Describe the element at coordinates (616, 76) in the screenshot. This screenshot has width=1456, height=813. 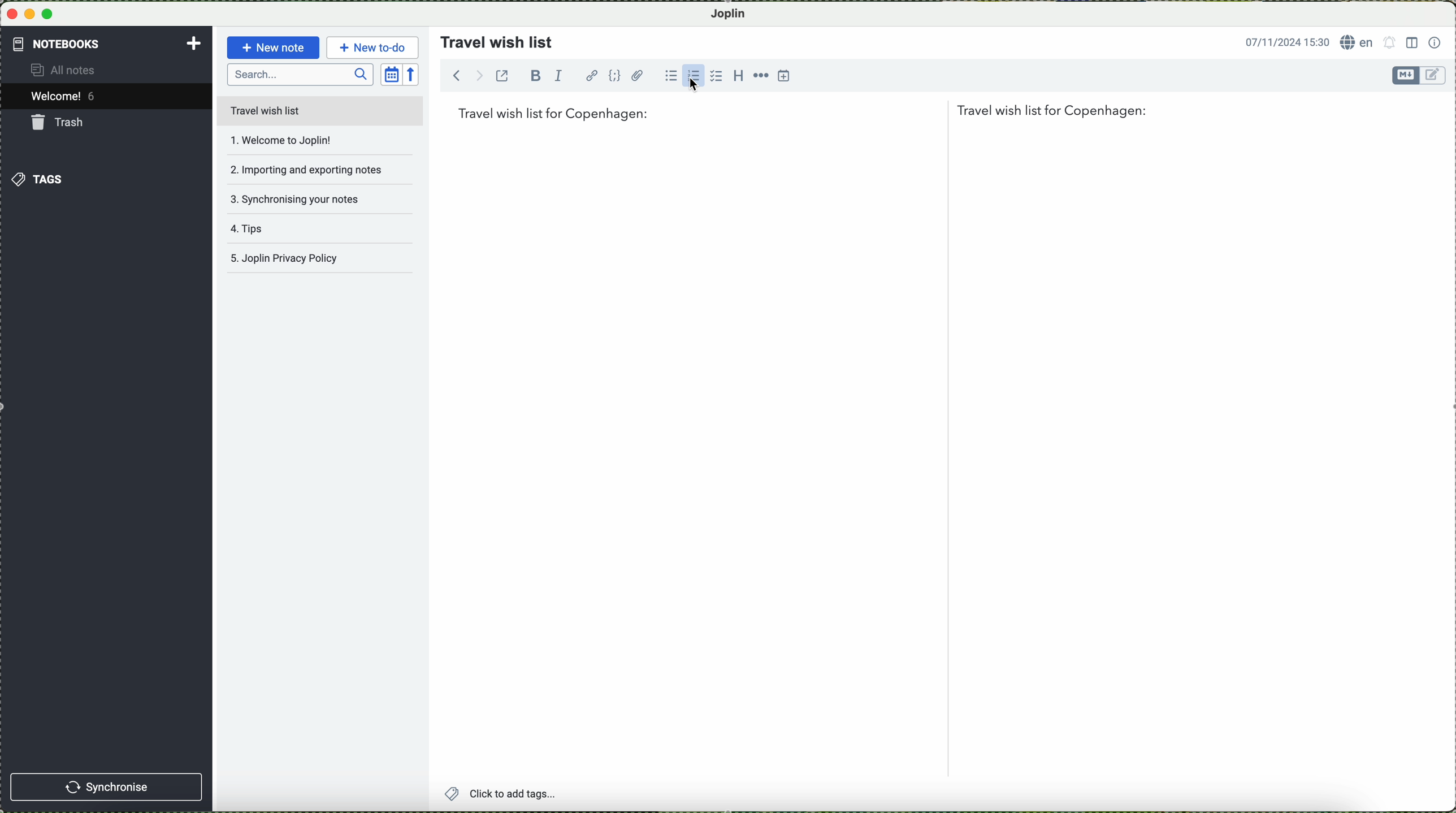
I see `code` at that location.